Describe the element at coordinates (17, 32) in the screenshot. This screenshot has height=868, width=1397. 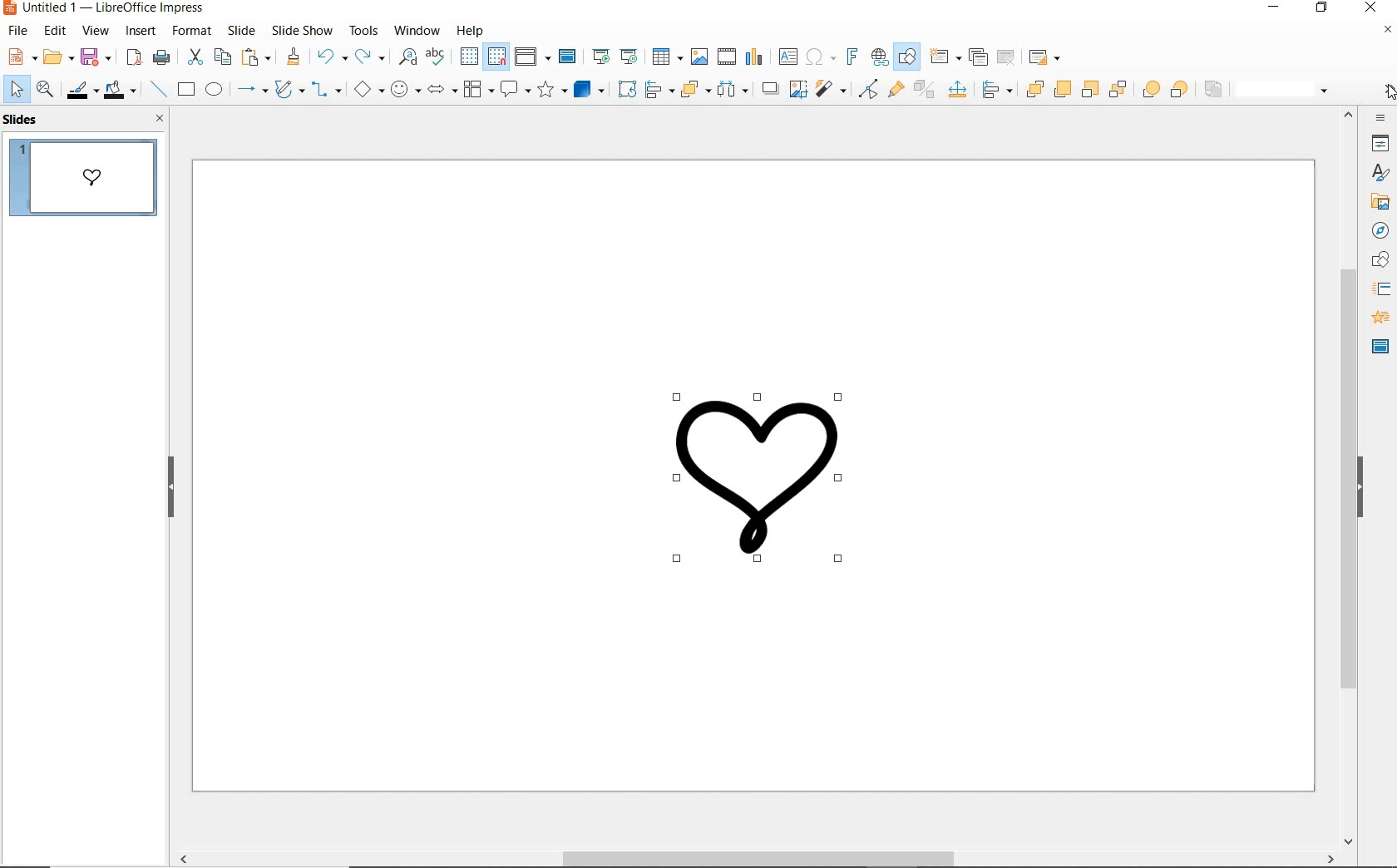
I see `file` at that location.